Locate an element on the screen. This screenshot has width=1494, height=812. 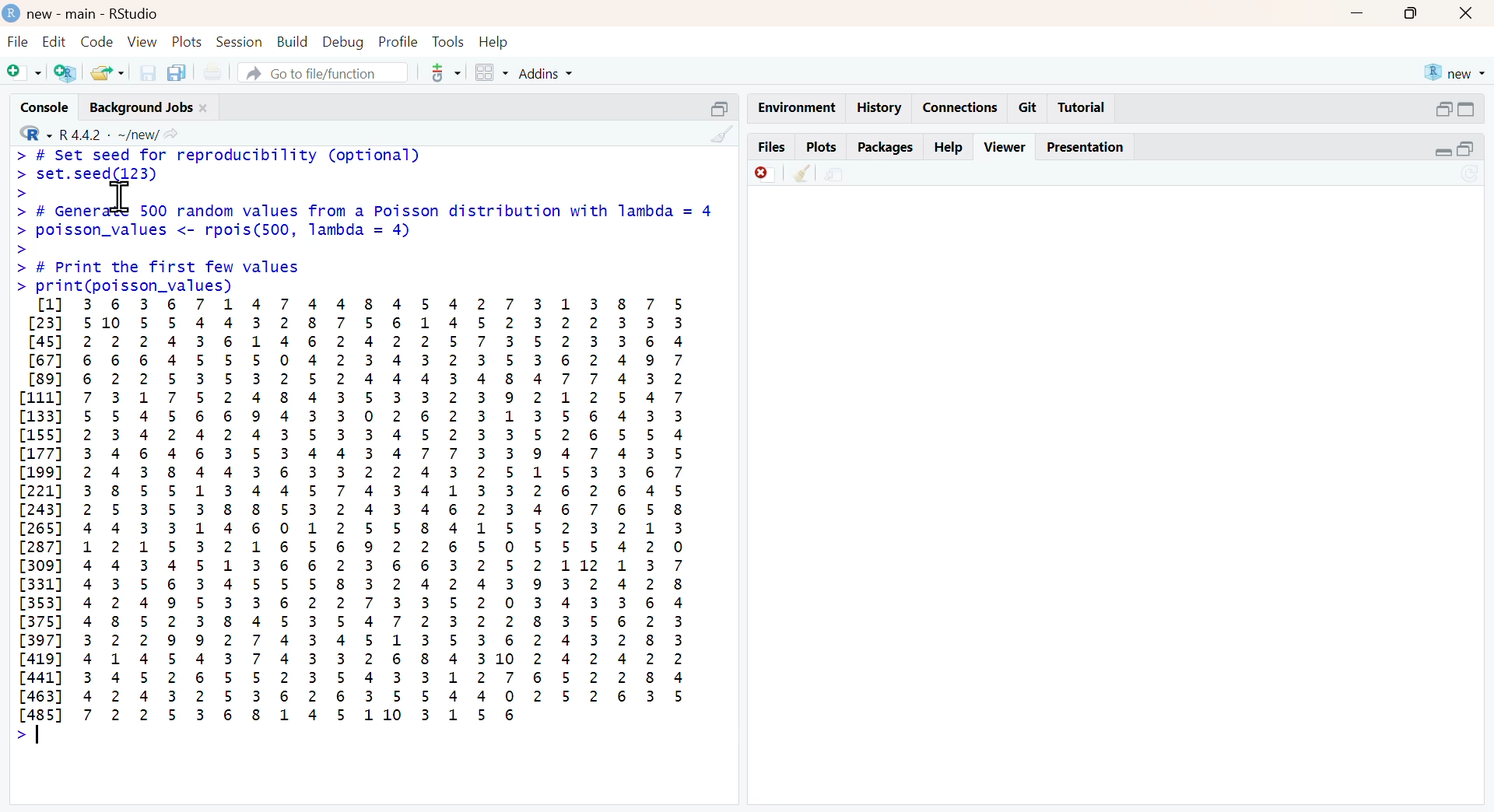
enviornment is located at coordinates (798, 108).